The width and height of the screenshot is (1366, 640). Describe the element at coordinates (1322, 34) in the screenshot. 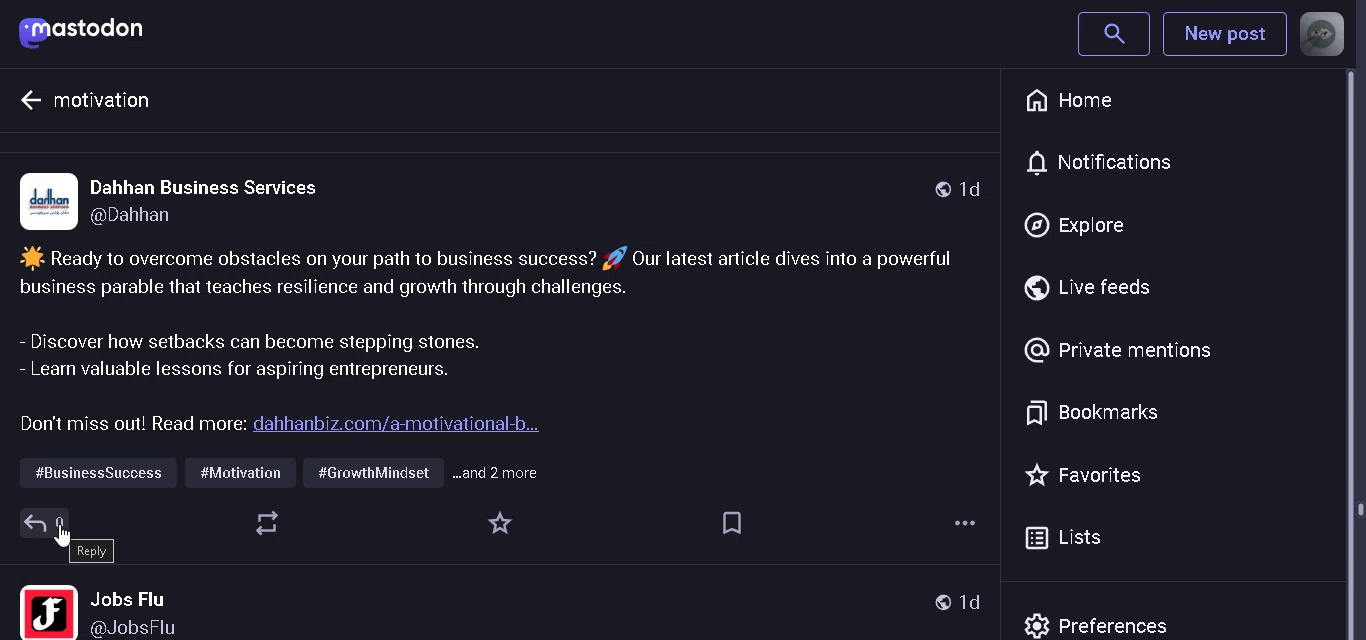

I see `profile picture` at that location.